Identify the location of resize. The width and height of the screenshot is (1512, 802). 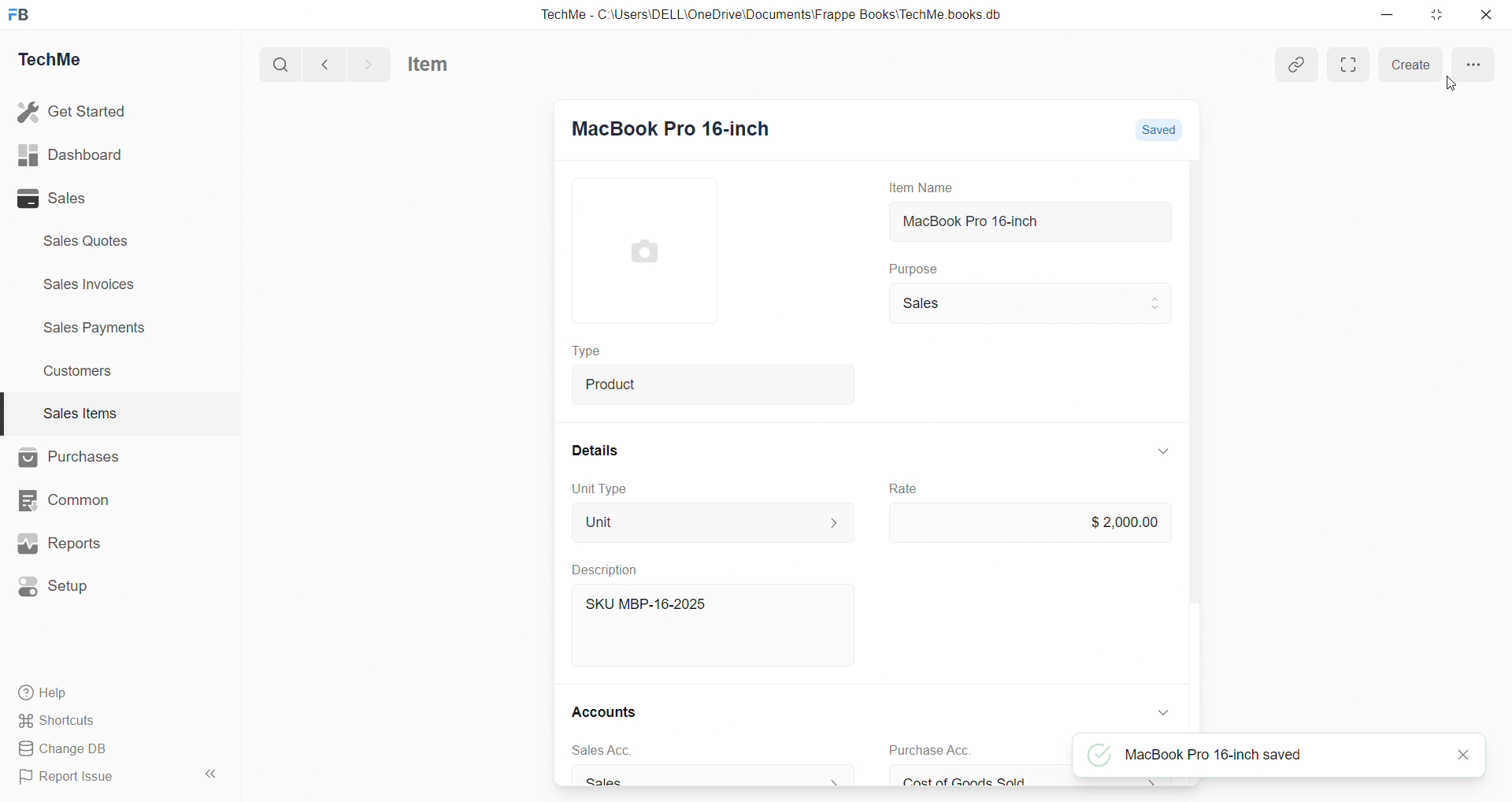
(1436, 15).